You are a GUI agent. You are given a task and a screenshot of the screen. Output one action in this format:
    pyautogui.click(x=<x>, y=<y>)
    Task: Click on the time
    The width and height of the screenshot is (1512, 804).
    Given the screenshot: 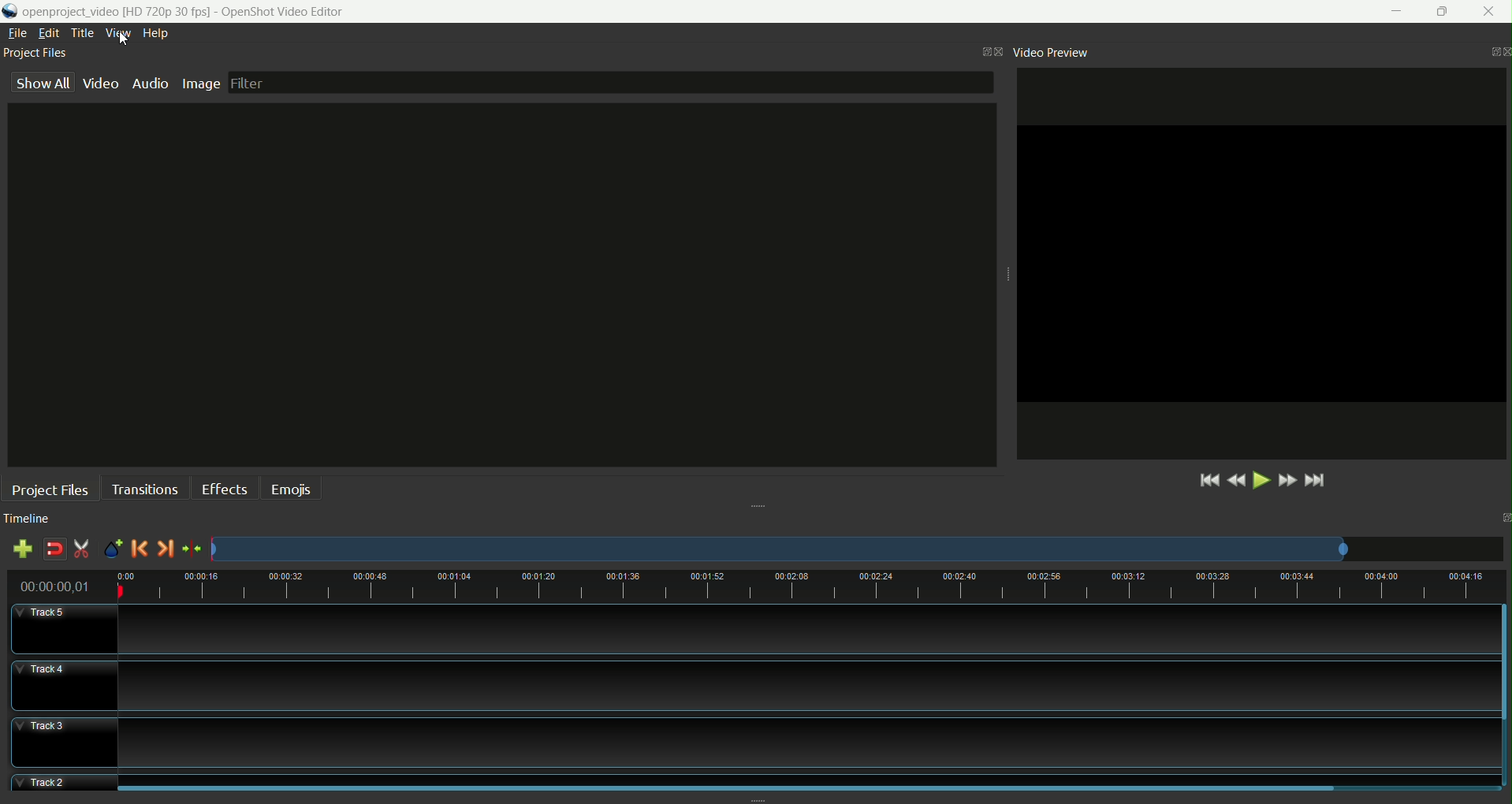 What is the action you would take?
    pyautogui.click(x=58, y=586)
    